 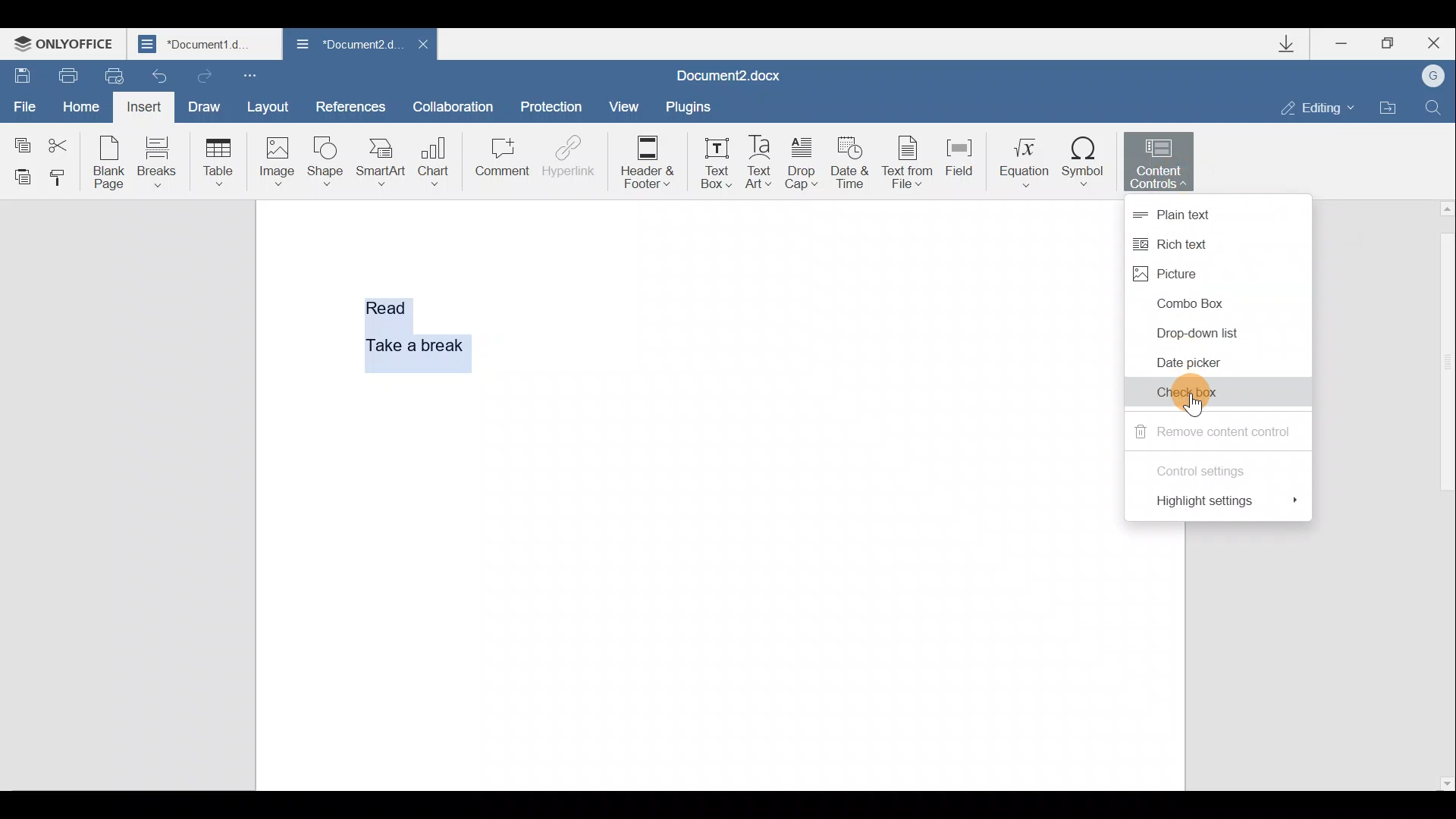 What do you see at coordinates (619, 105) in the screenshot?
I see `View` at bounding box center [619, 105].